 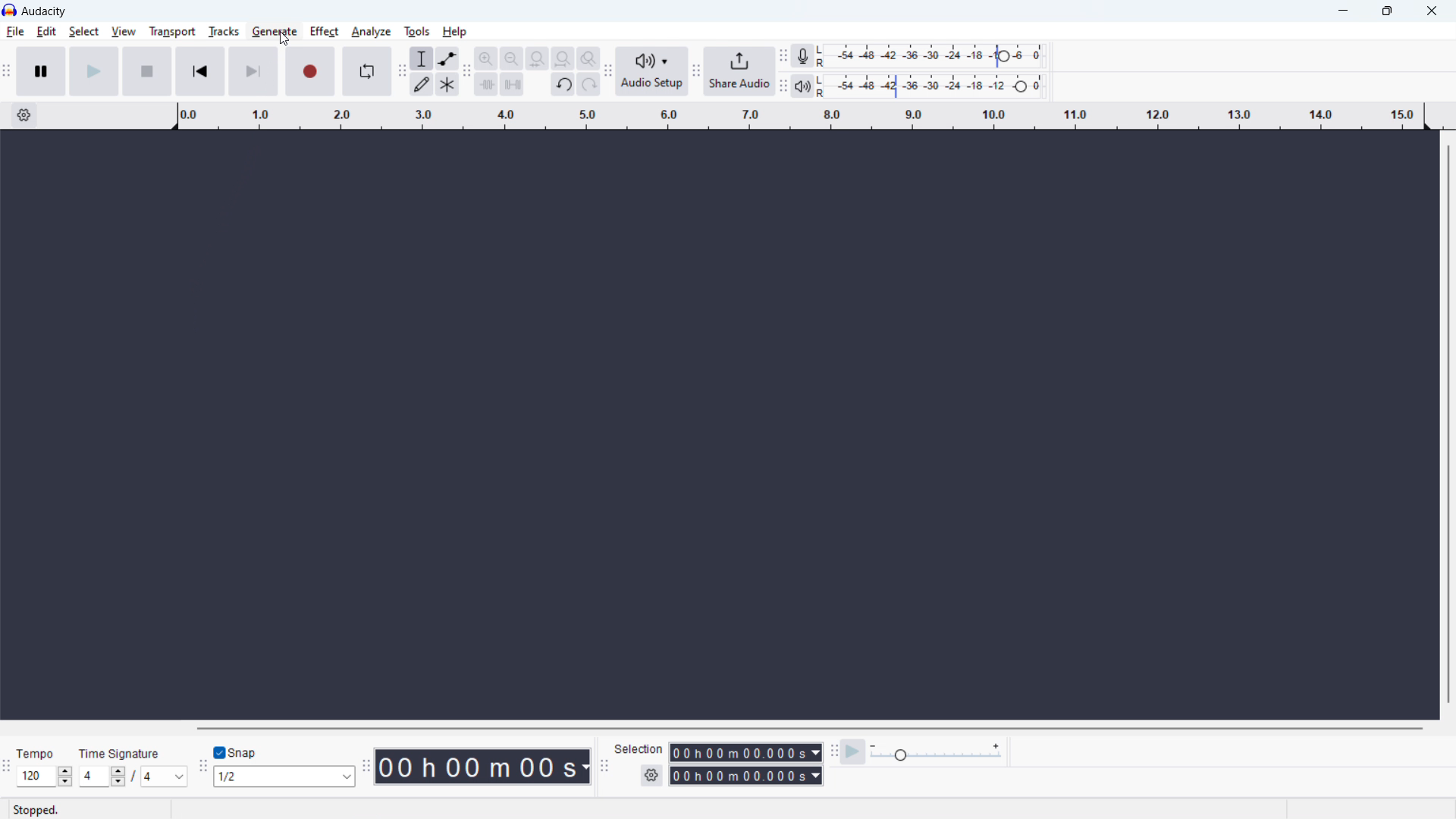 What do you see at coordinates (44, 810) in the screenshot?
I see `stopped` at bounding box center [44, 810].